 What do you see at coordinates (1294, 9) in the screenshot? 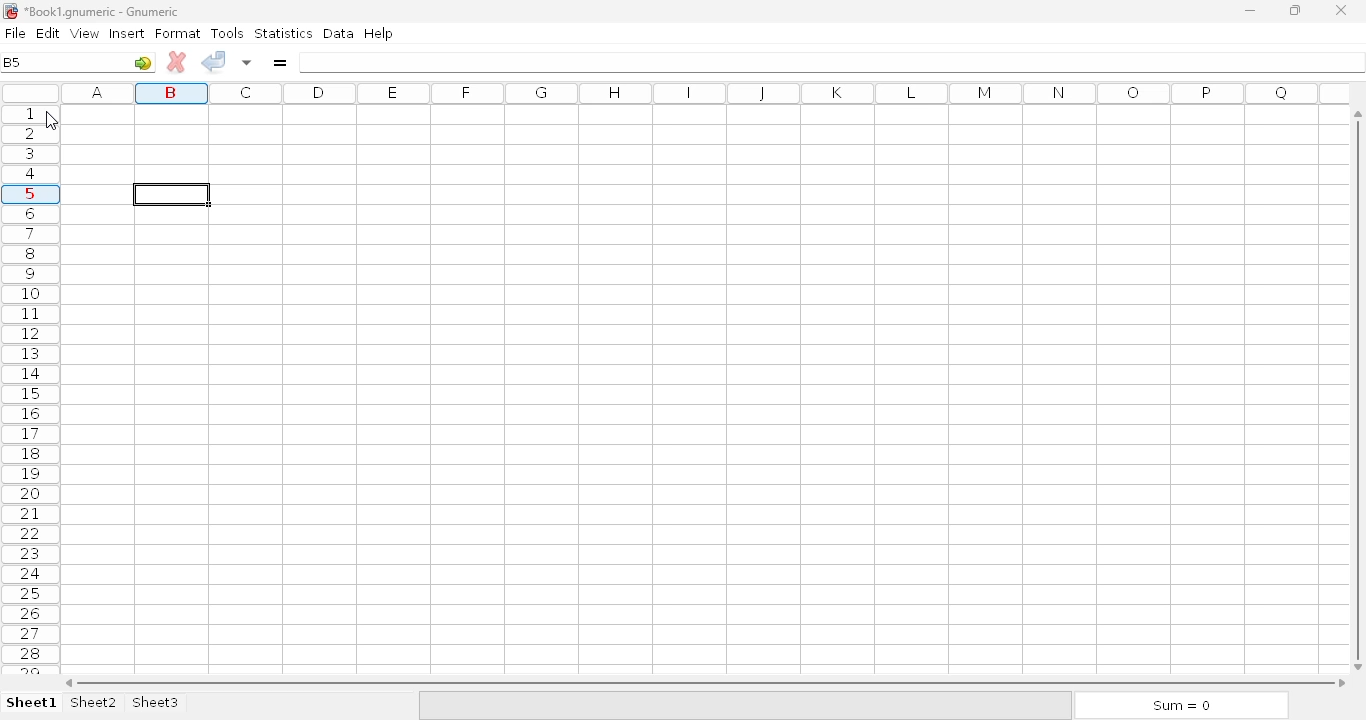
I see `maximize` at bounding box center [1294, 9].